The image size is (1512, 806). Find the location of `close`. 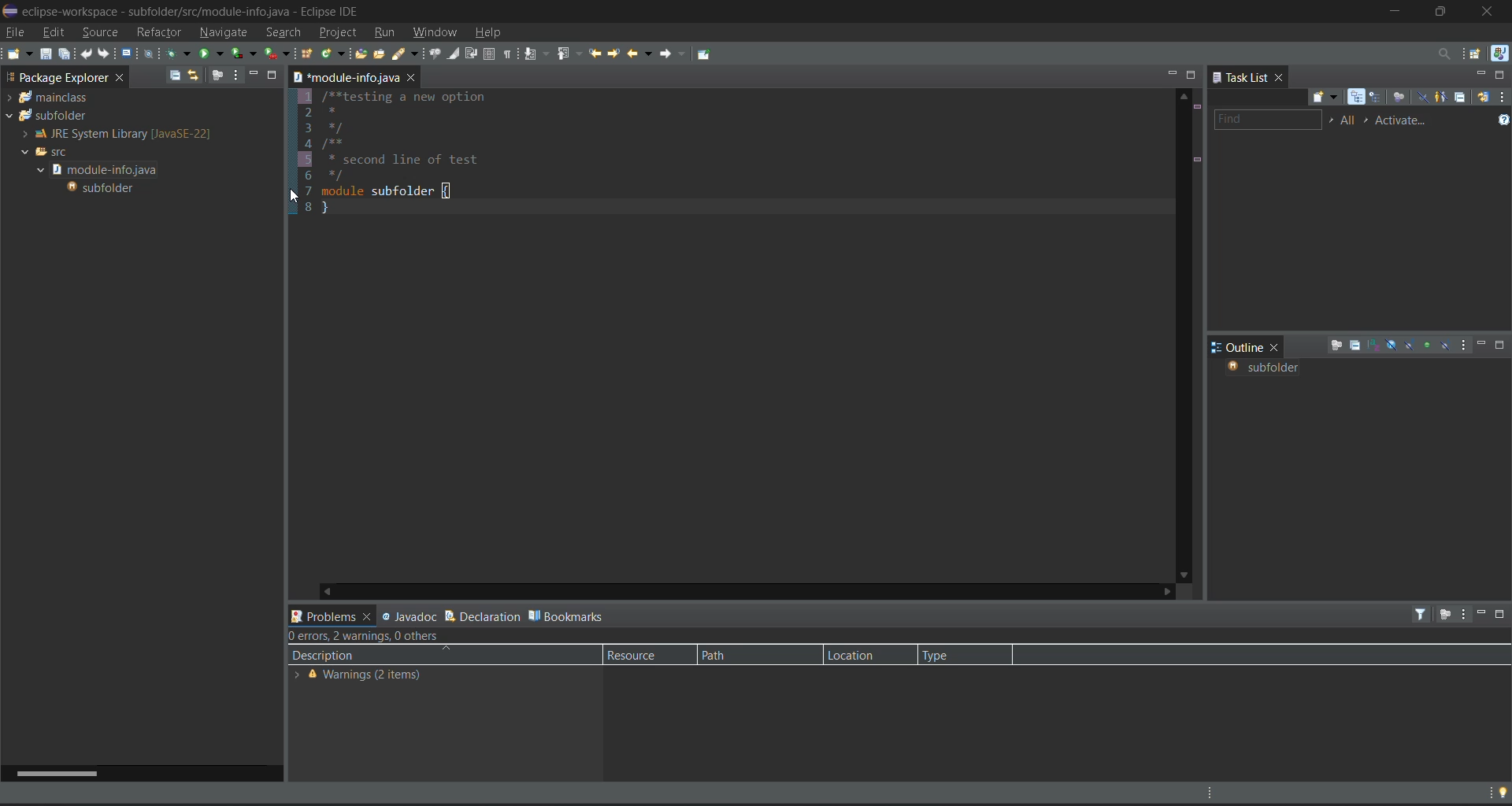

close is located at coordinates (1280, 346).